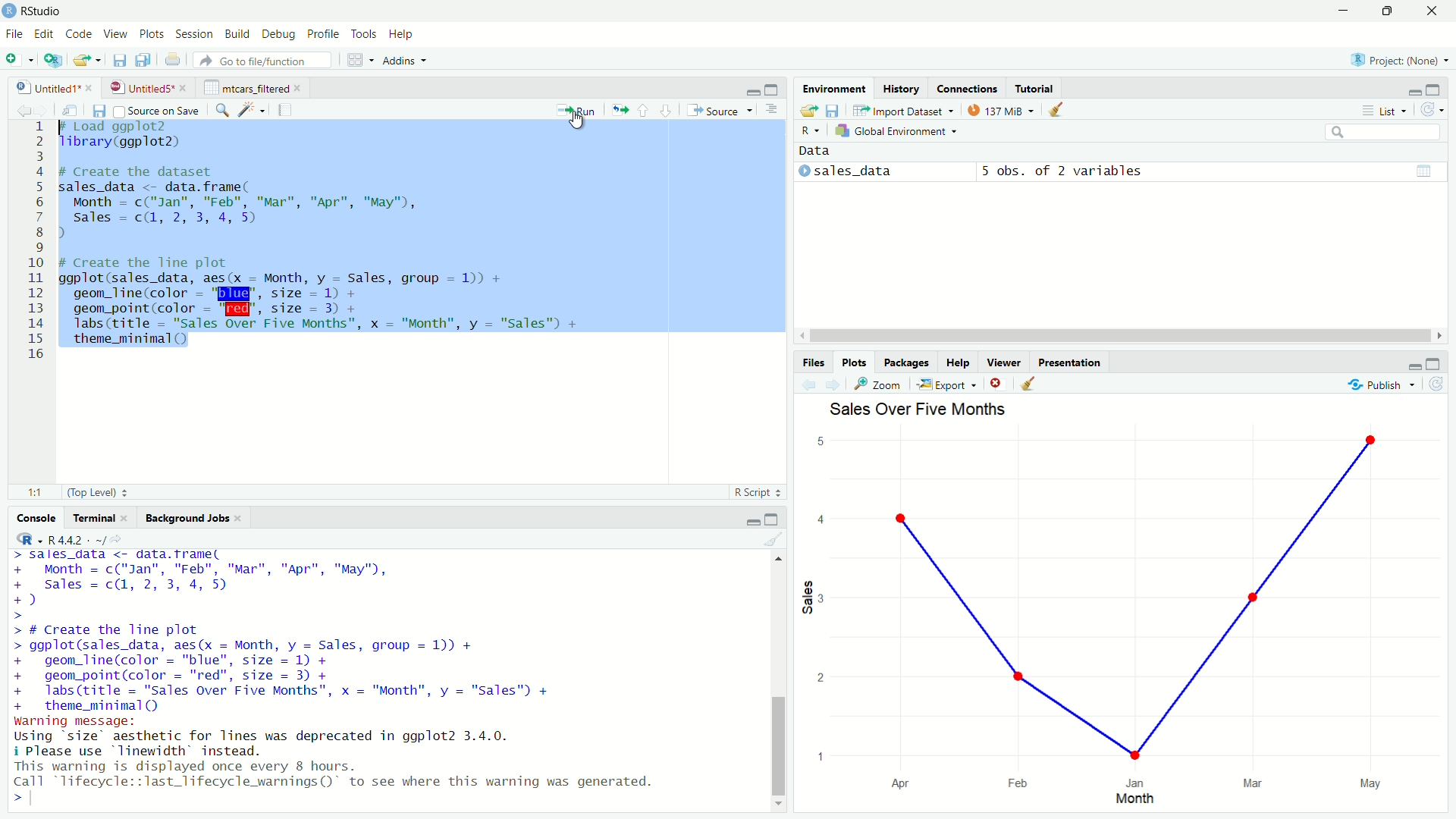  What do you see at coordinates (903, 111) in the screenshot?
I see `import dataset` at bounding box center [903, 111].